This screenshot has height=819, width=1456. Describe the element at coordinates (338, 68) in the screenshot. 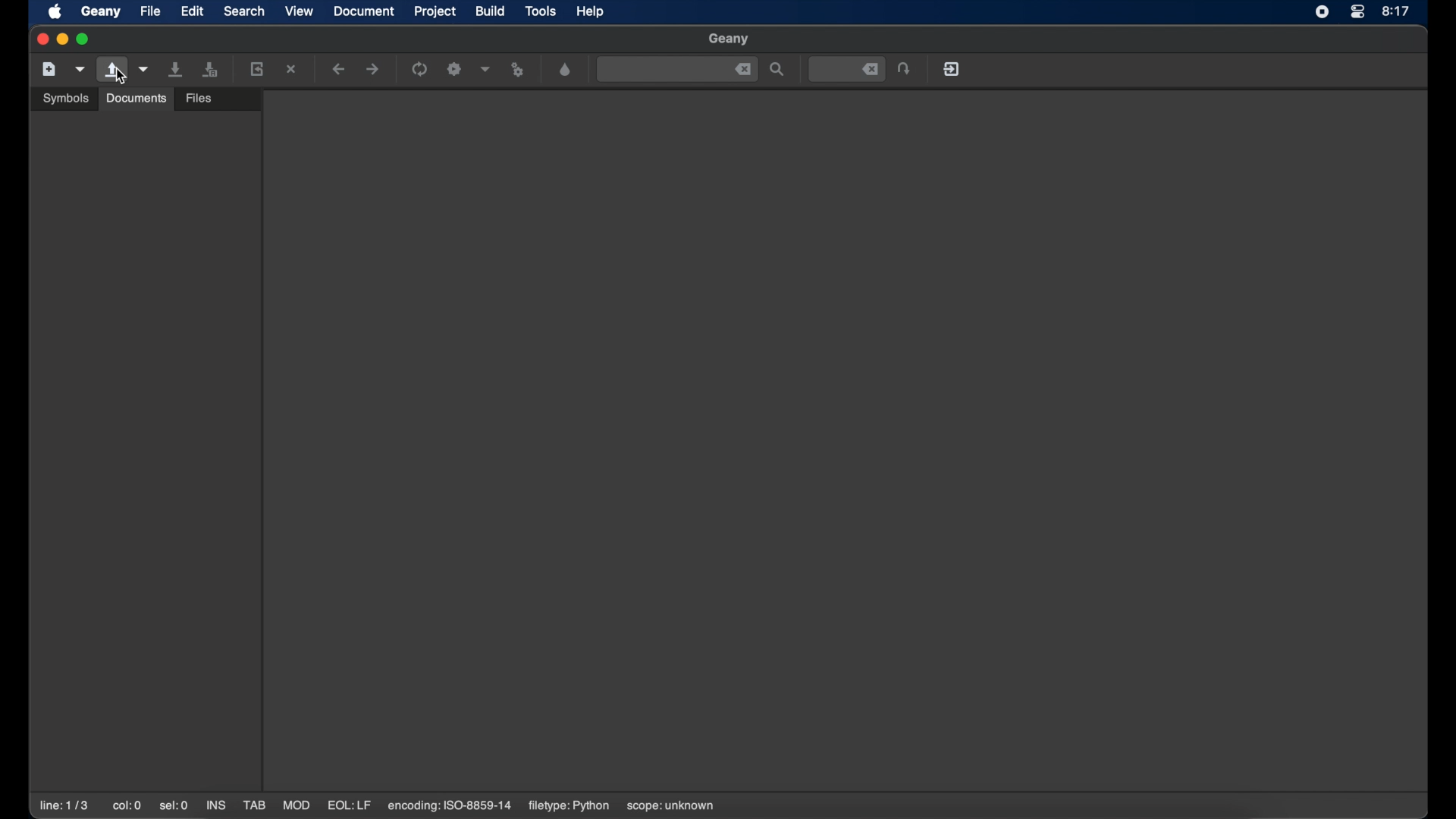

I see `navigate back a location` at that location.